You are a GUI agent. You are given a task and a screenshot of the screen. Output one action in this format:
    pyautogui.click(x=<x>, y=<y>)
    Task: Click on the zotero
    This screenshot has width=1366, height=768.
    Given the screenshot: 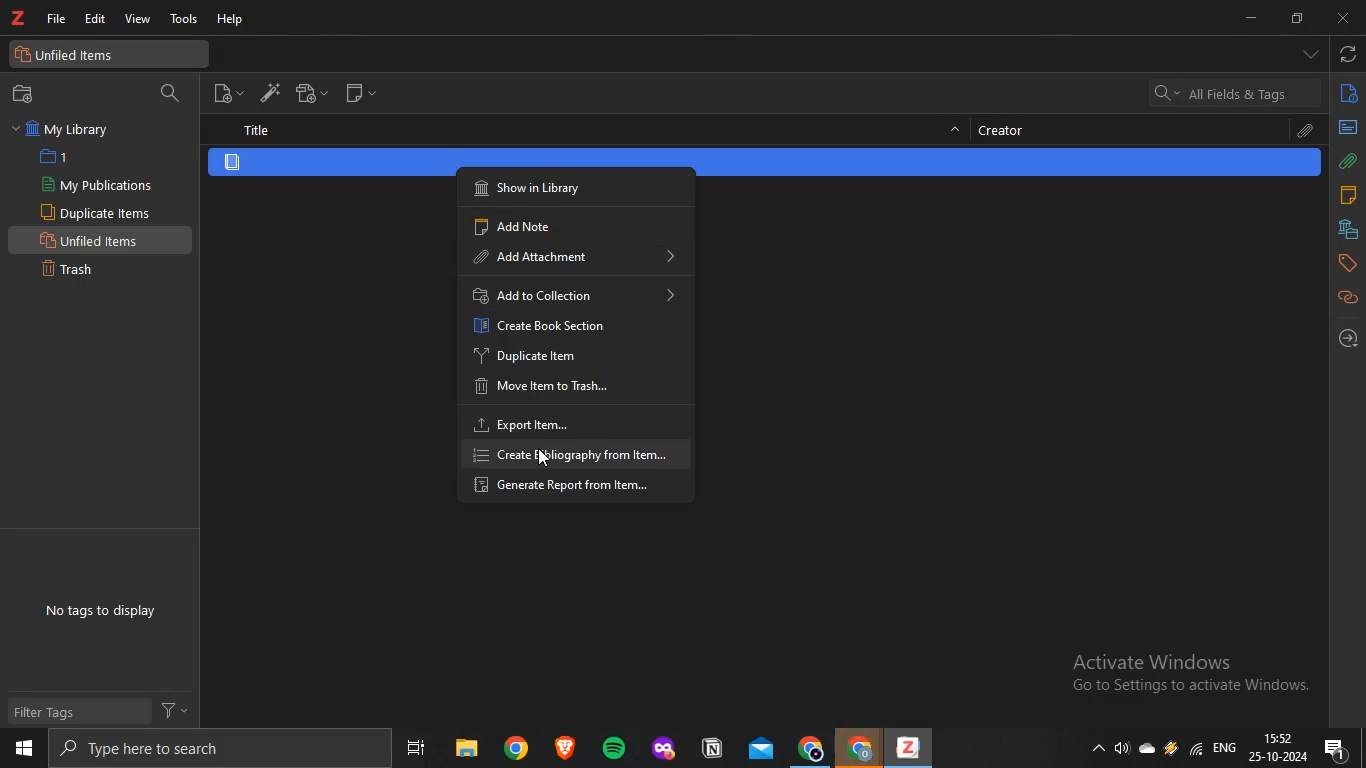 What is the action you would take?
    pyautogui.click(x=905, y=749)
    